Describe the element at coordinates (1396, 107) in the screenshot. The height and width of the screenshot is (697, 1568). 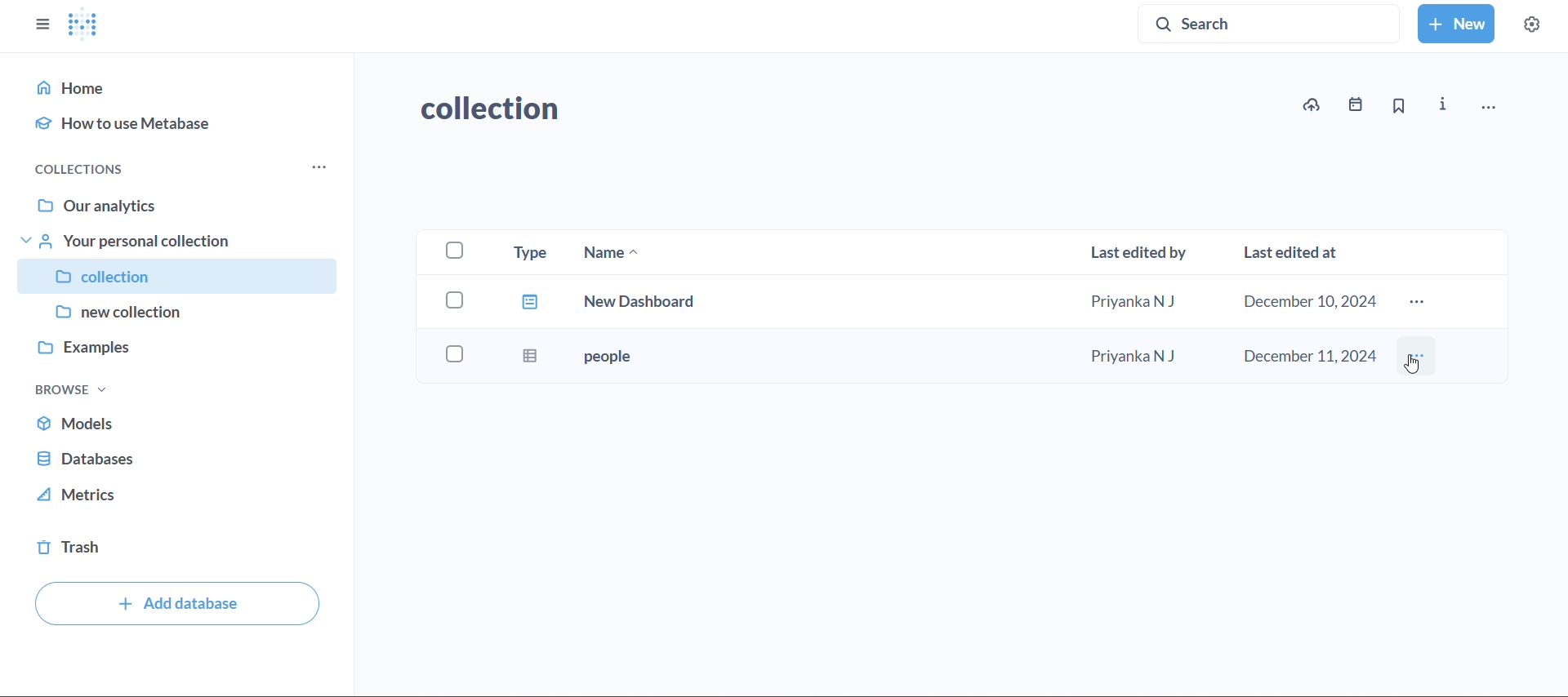
I see `bookmark` at that location.